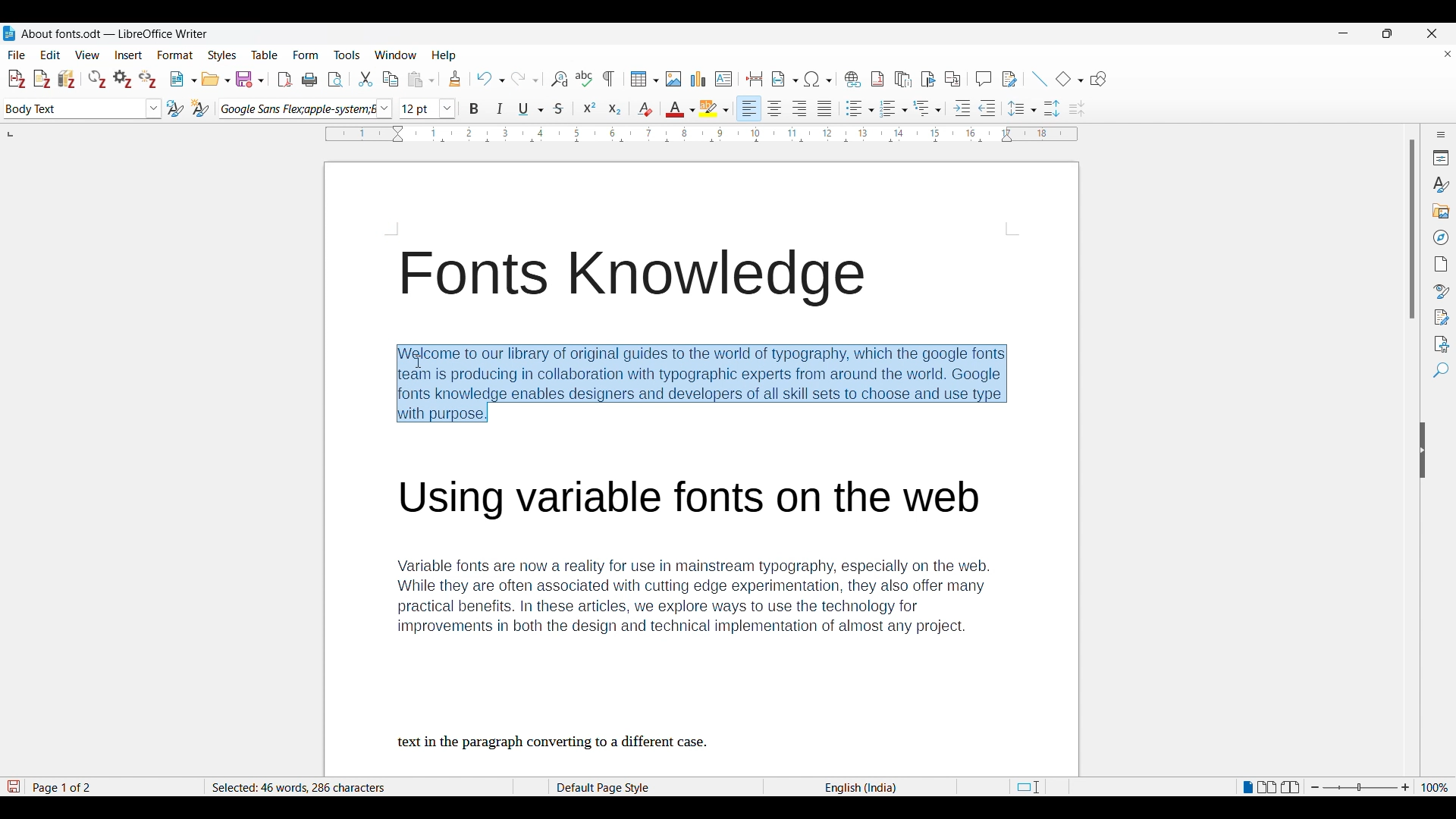 The height and width of the screenshot is (819, 1456). I want to click on Page style, so click(627, 787).